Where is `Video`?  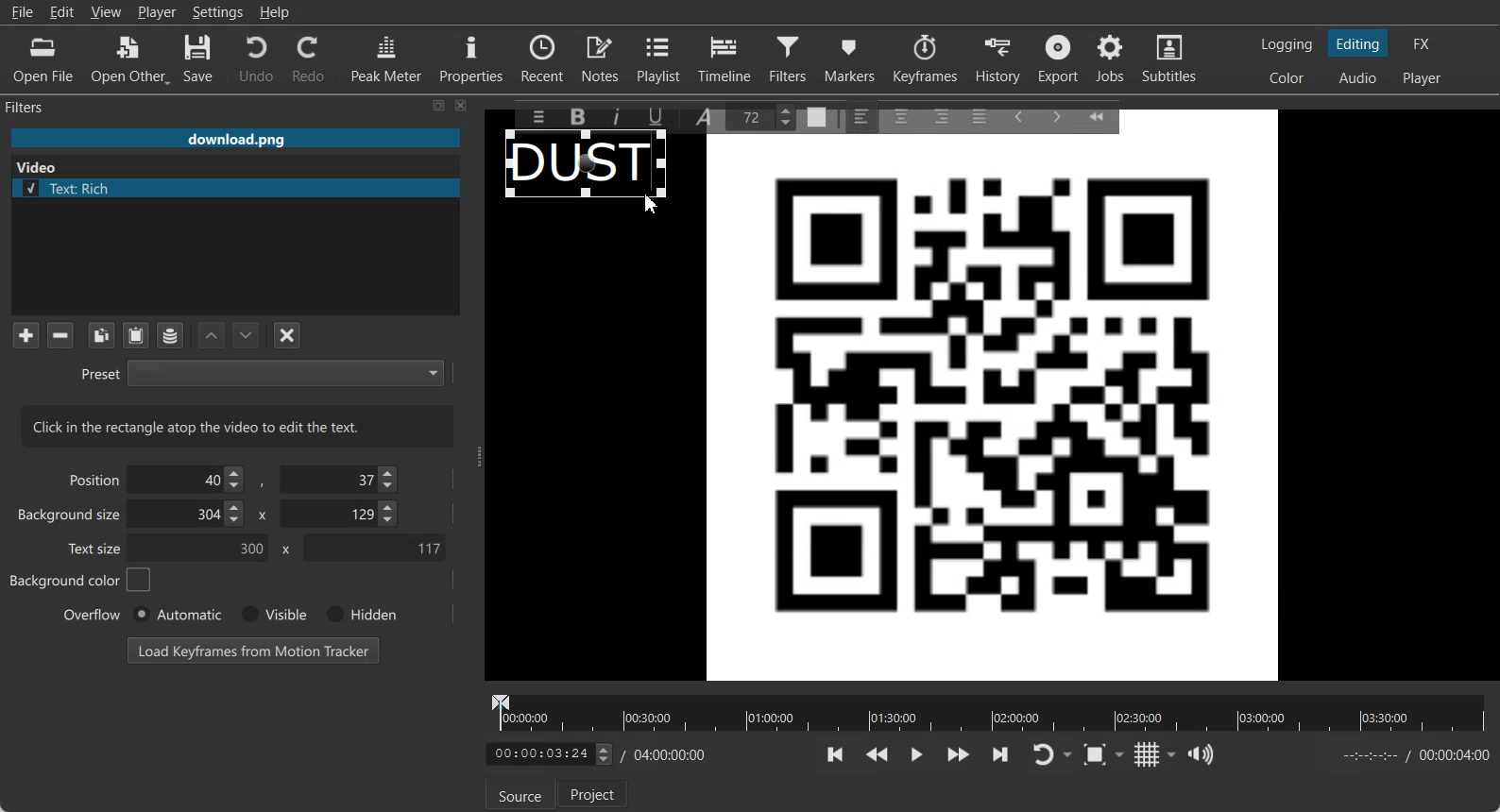 Video is located at coordinates (41, 165).